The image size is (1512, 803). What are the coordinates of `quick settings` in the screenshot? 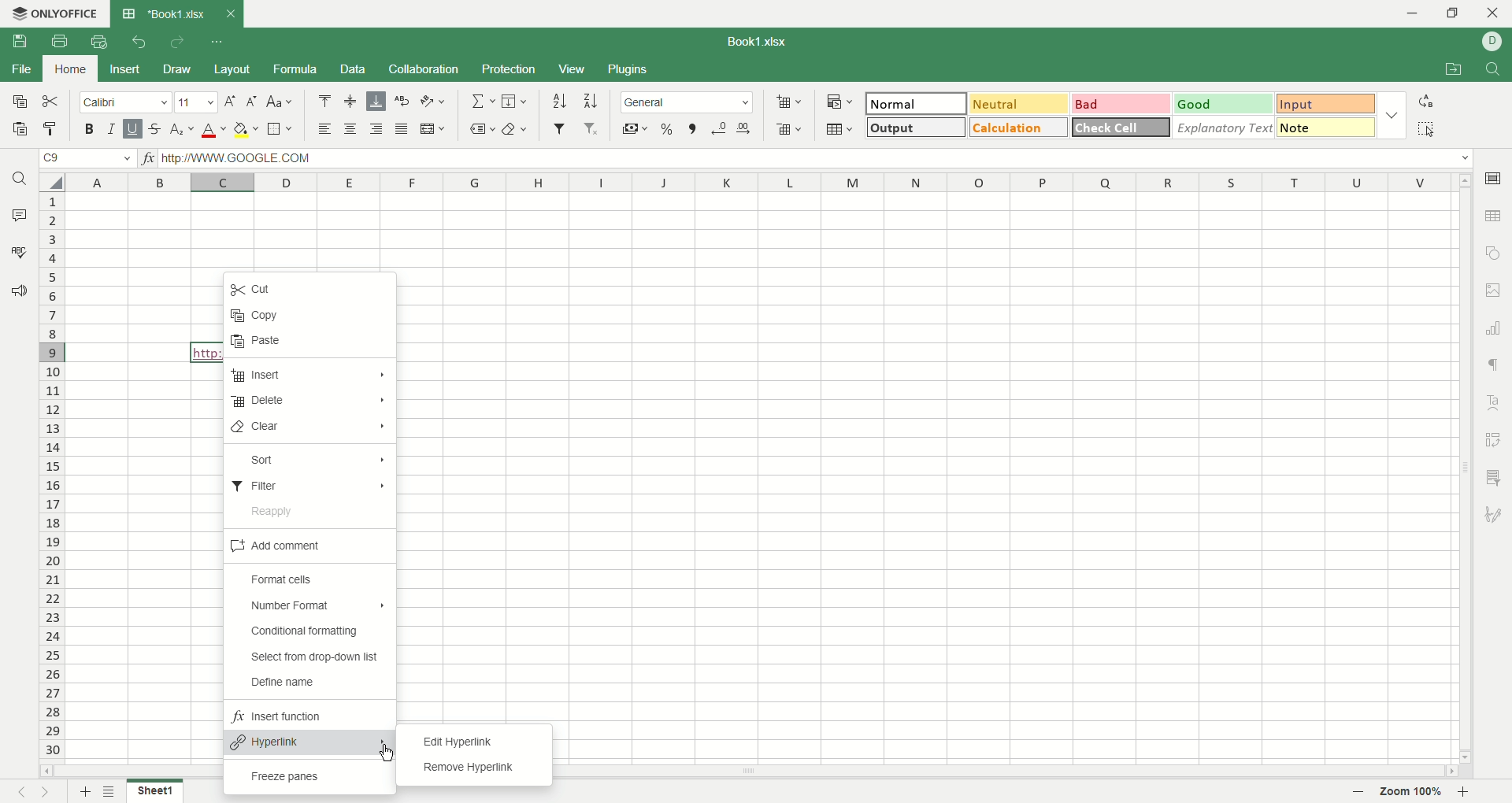 It's located at (219, 40).